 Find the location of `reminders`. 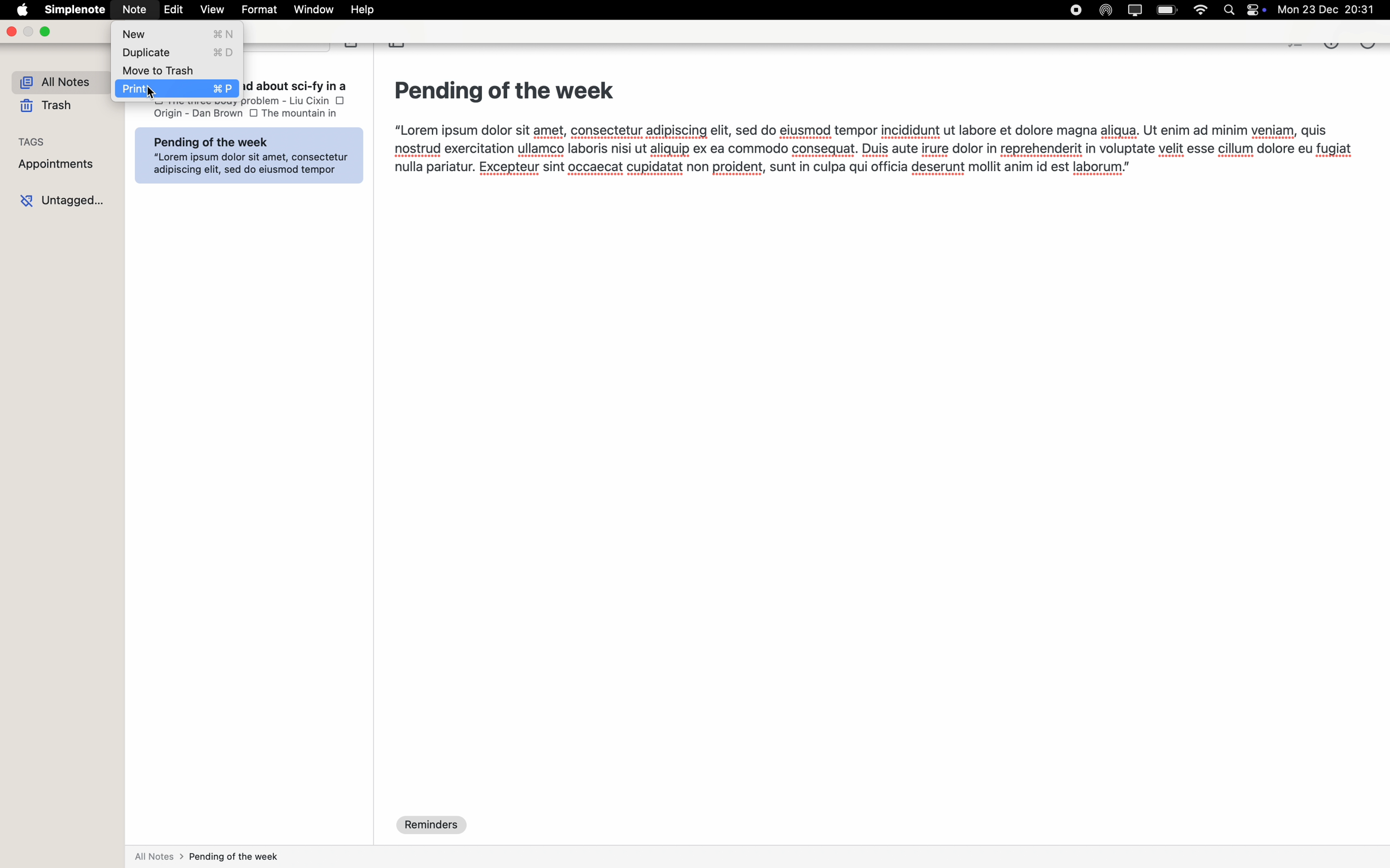

reminders is located at coordinates (433, 824).